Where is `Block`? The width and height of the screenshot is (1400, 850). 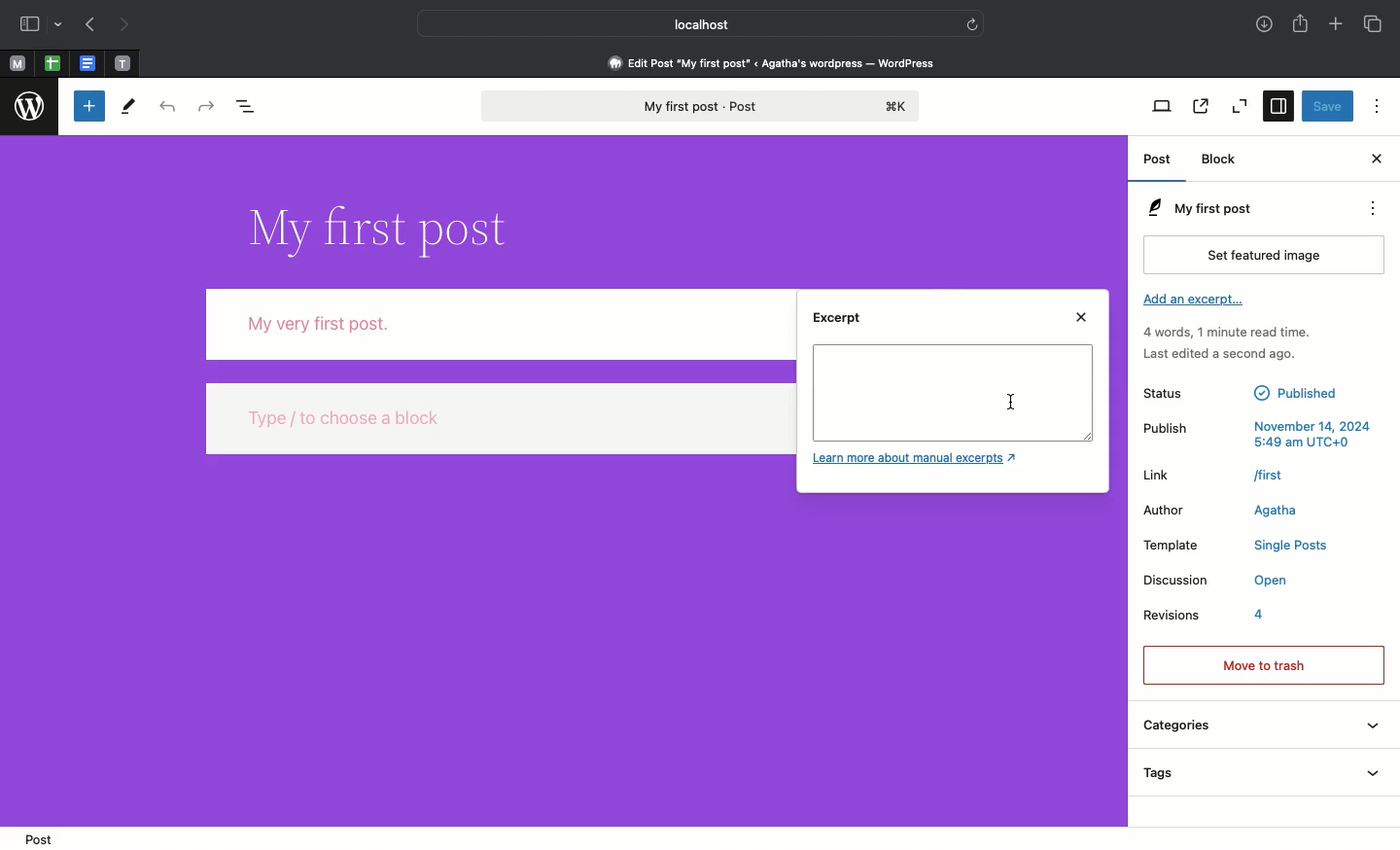 Block is located at coordinates (1224, 159).